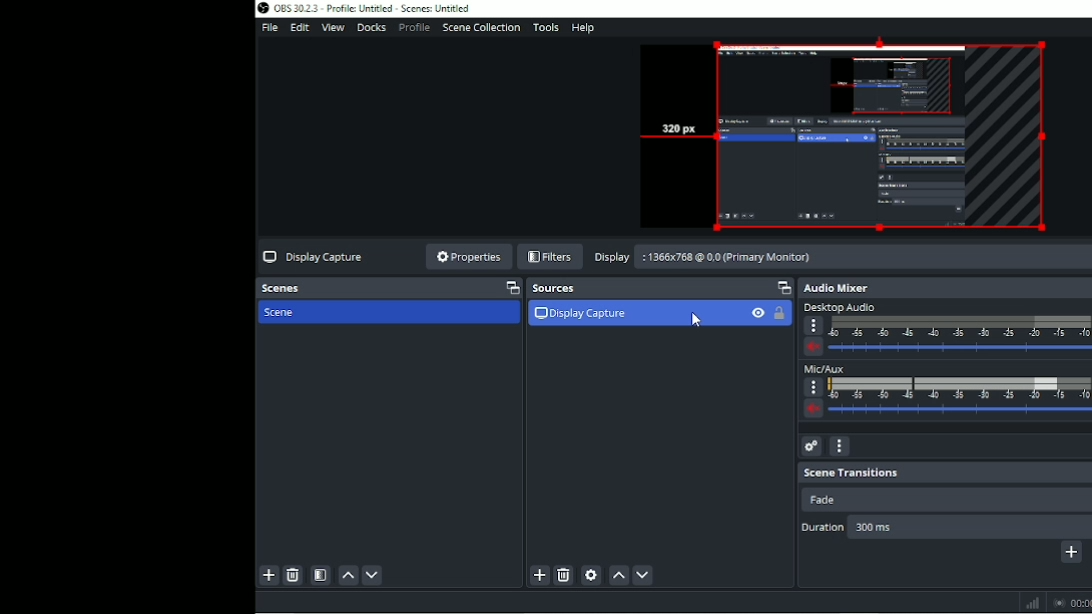  I want to click on Desktop audio, so click(944, 330).